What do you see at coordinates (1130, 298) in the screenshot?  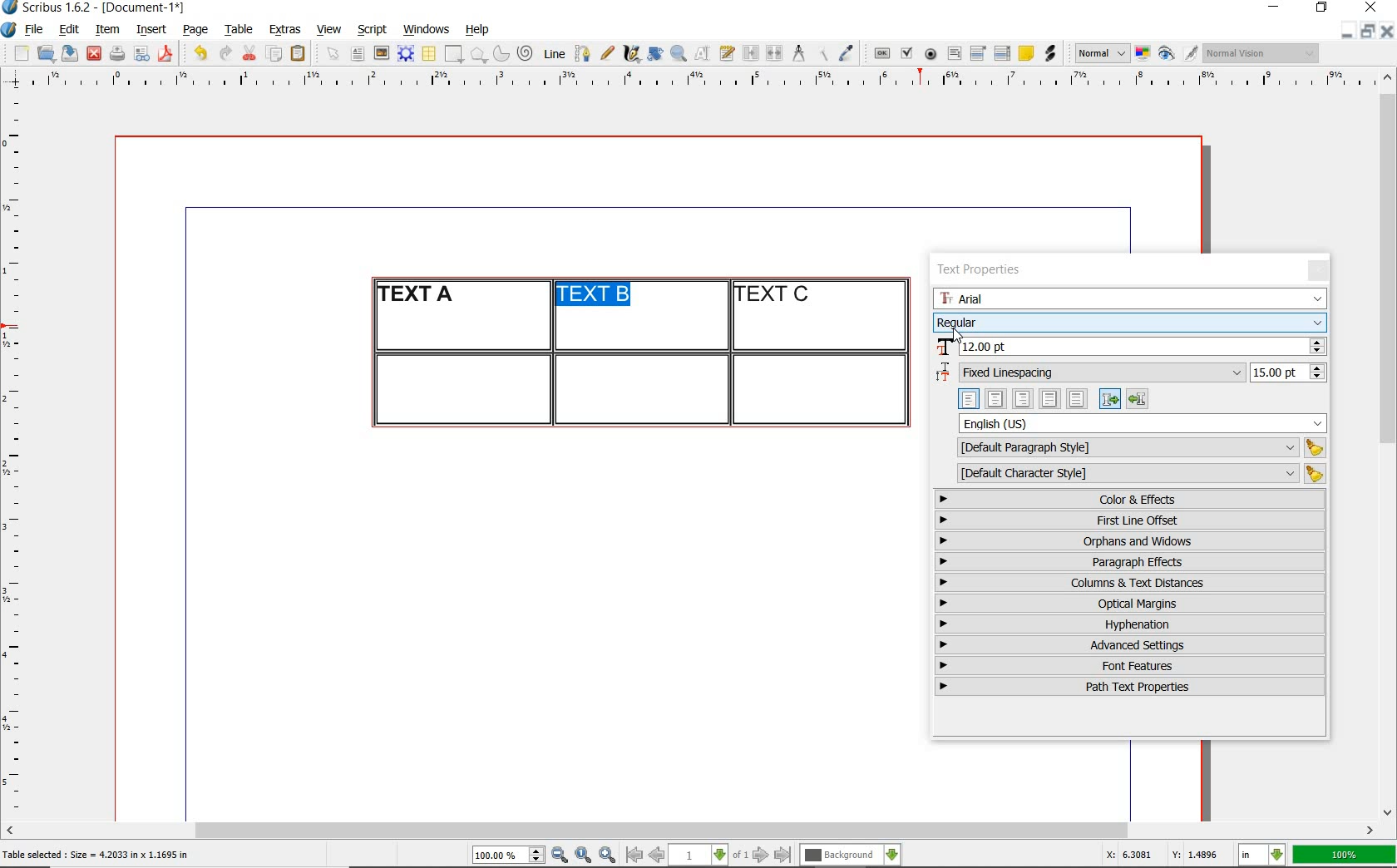 I see `font family` at bounding box center [1130, 298].